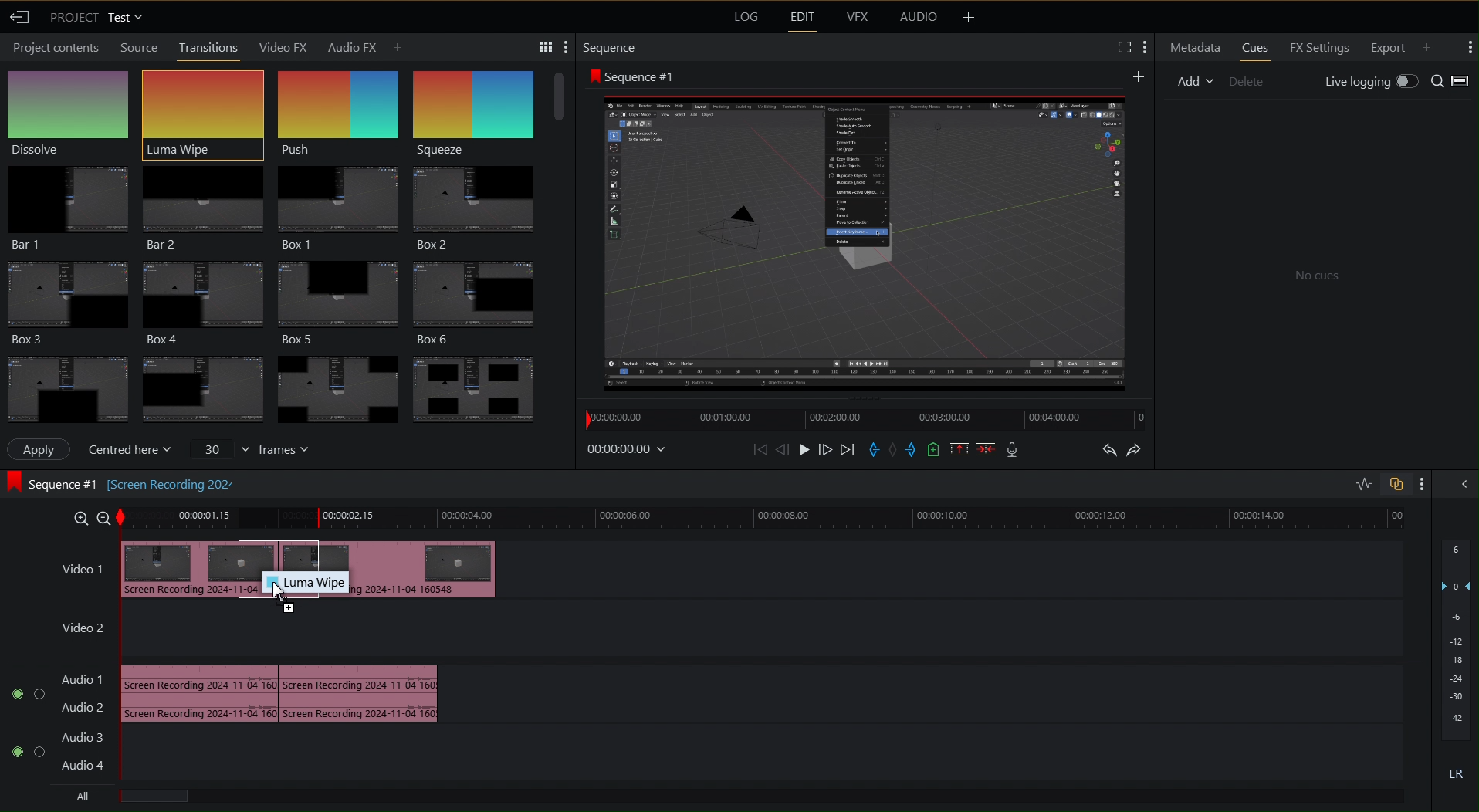  Describe the element at coordinates (800, 19) in the screenshot. I see `Edit` at that location.